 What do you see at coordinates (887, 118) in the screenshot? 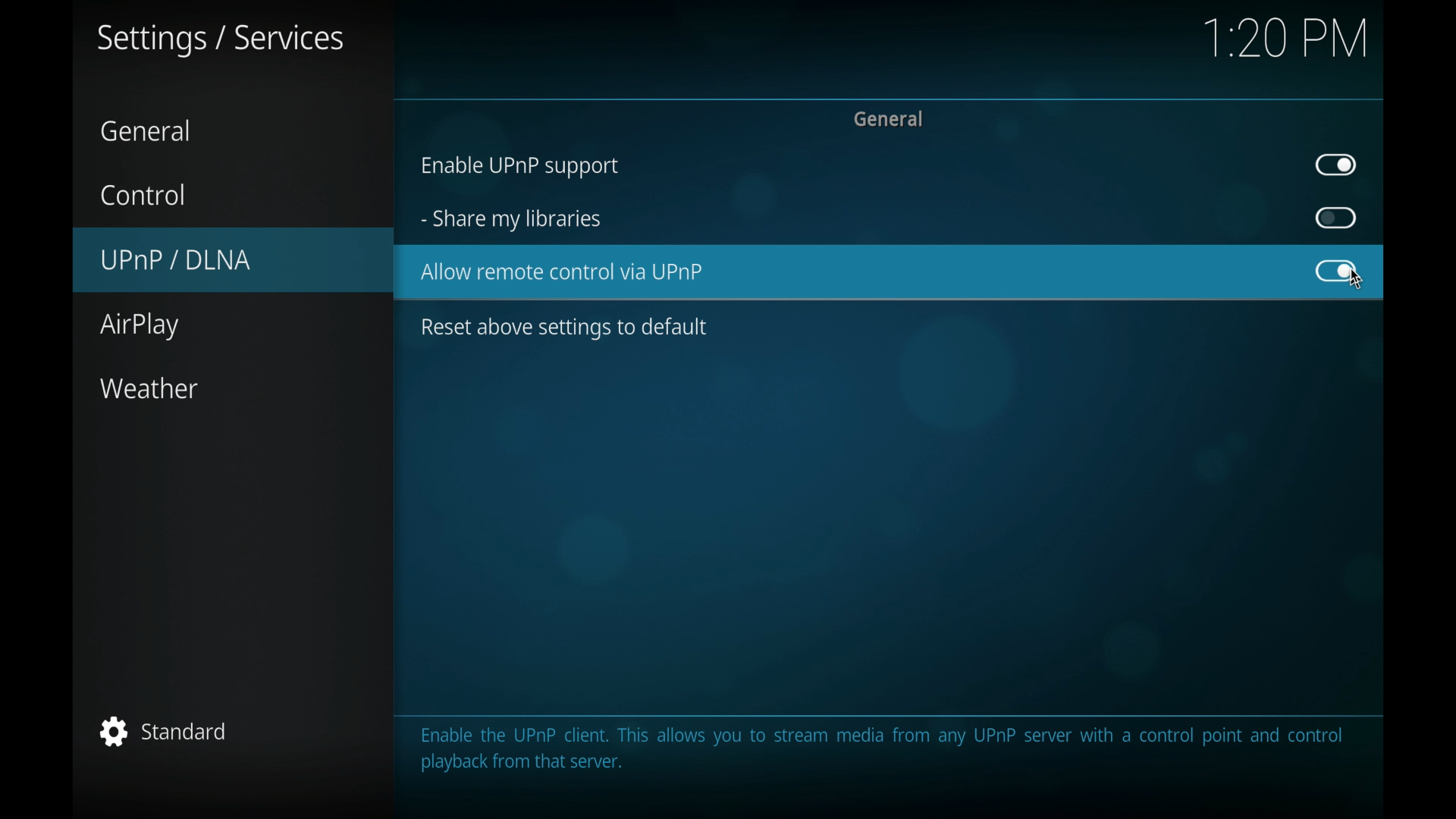
I see `general` at bounding box center [887, 118].